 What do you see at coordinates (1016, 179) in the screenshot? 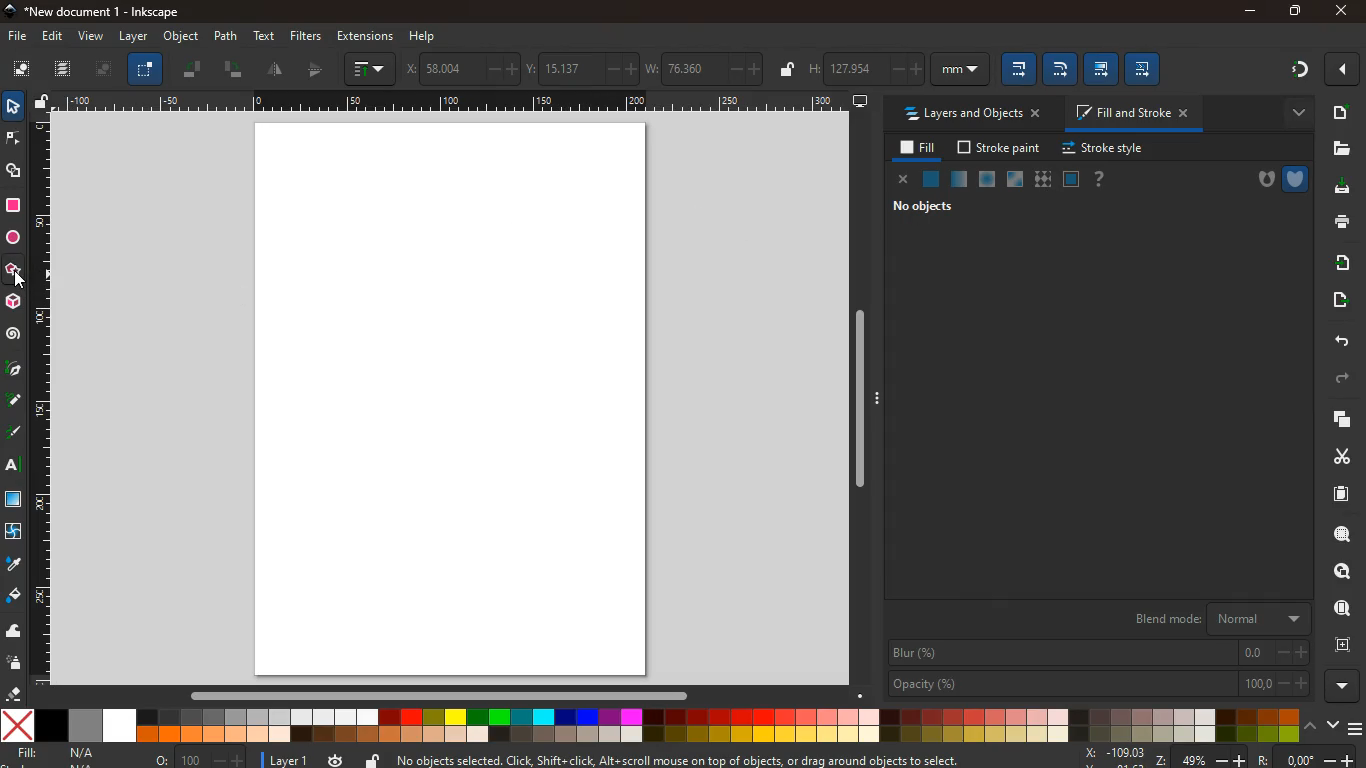
I see `glass` at bounding box center [1016, 179].